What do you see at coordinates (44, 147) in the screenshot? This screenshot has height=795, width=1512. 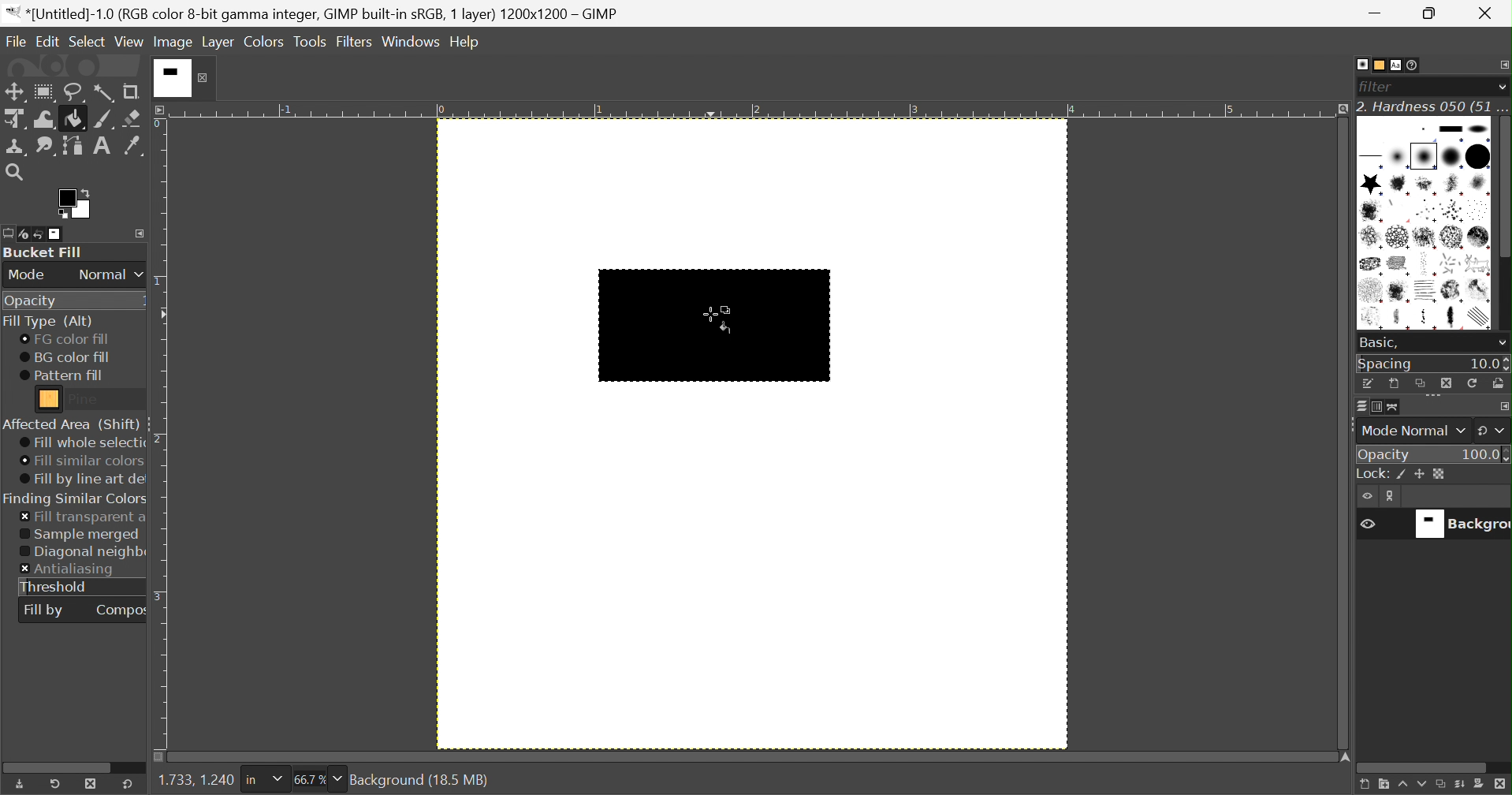 I see `Smudge Tool` at bounding box center [44, 147].